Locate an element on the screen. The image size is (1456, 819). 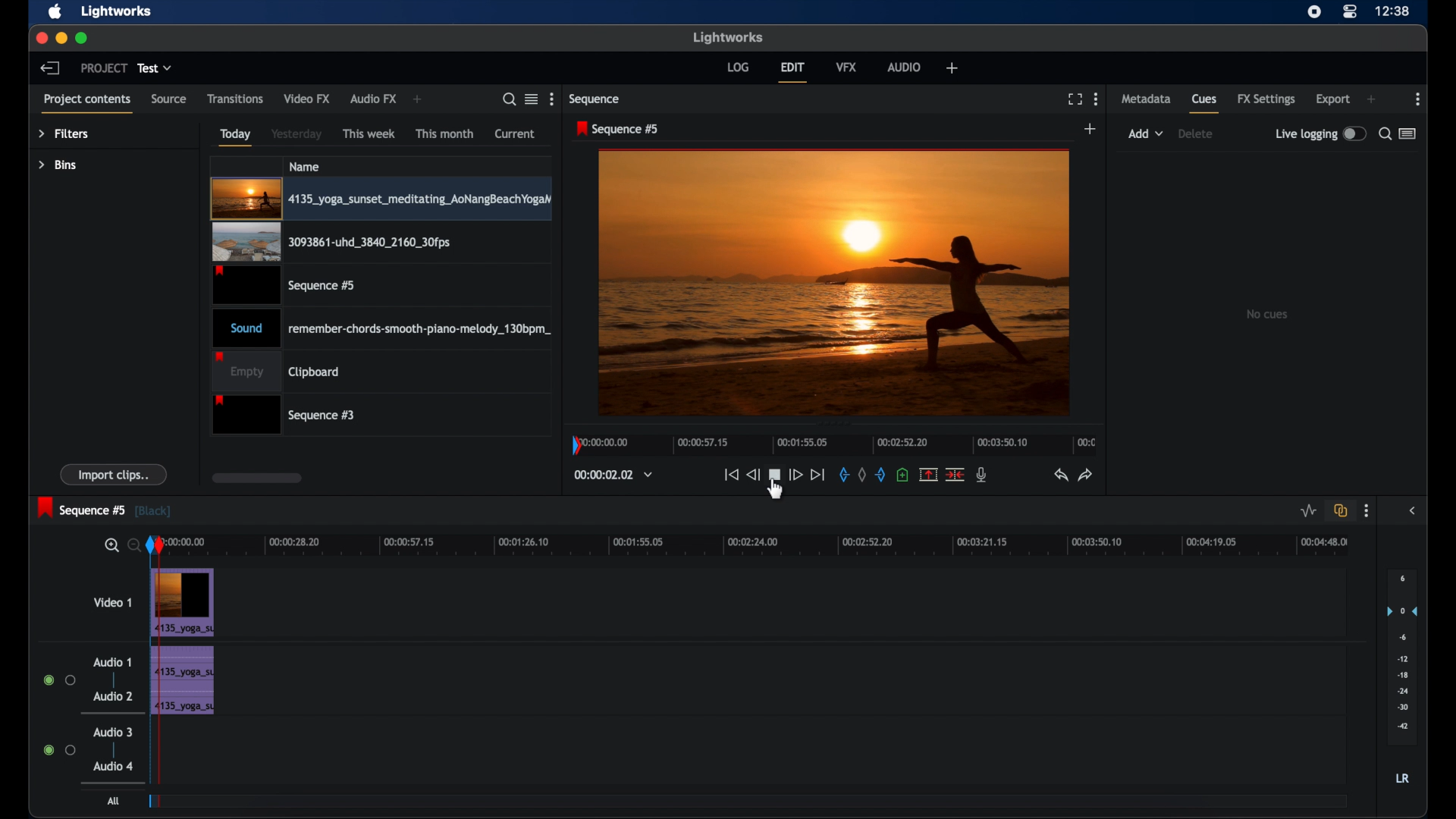
current is located at coordinates (515, 134).